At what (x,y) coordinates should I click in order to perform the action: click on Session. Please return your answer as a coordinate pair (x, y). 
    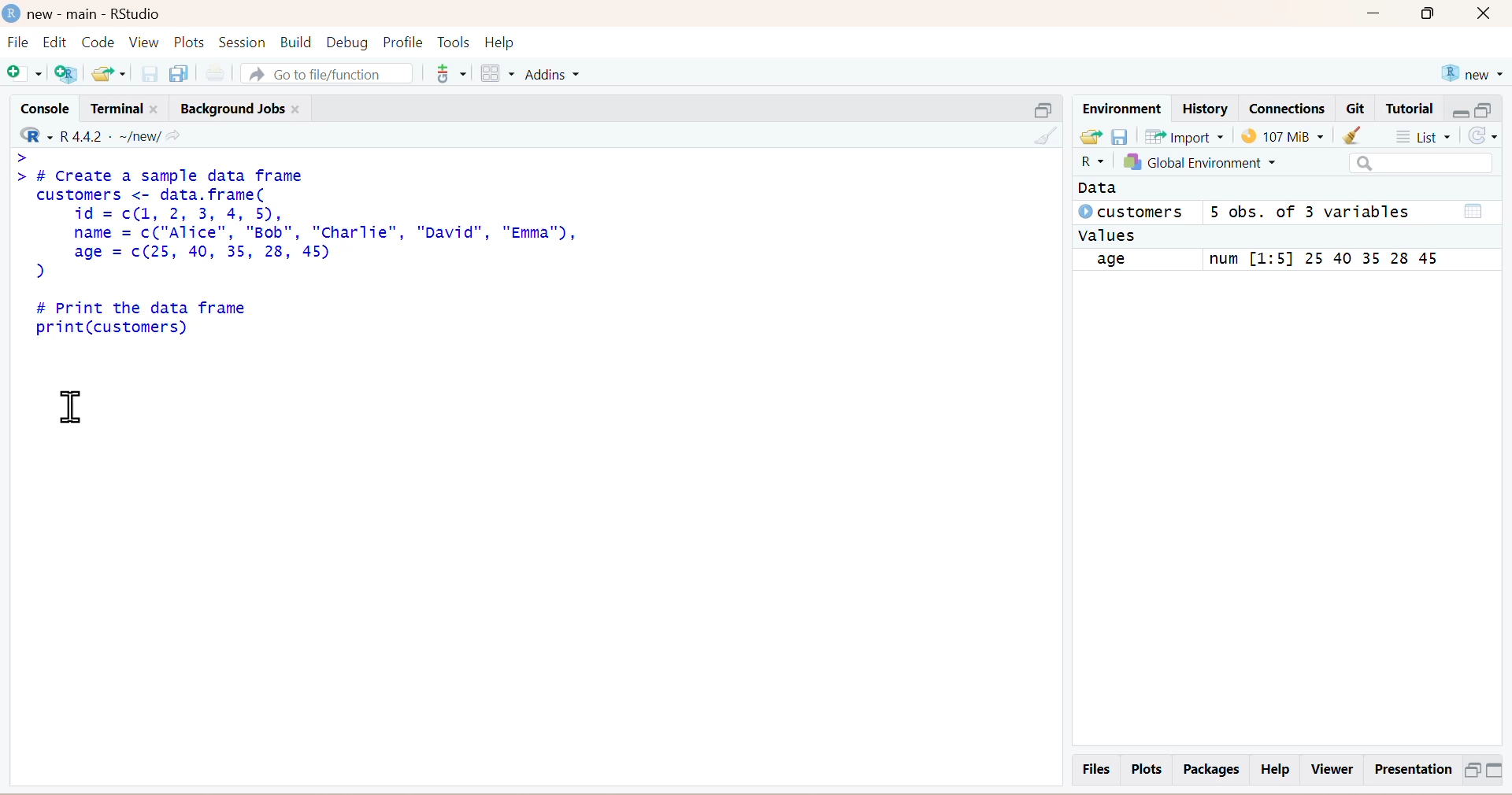
    Looking at the image, I should click on (242, 40).